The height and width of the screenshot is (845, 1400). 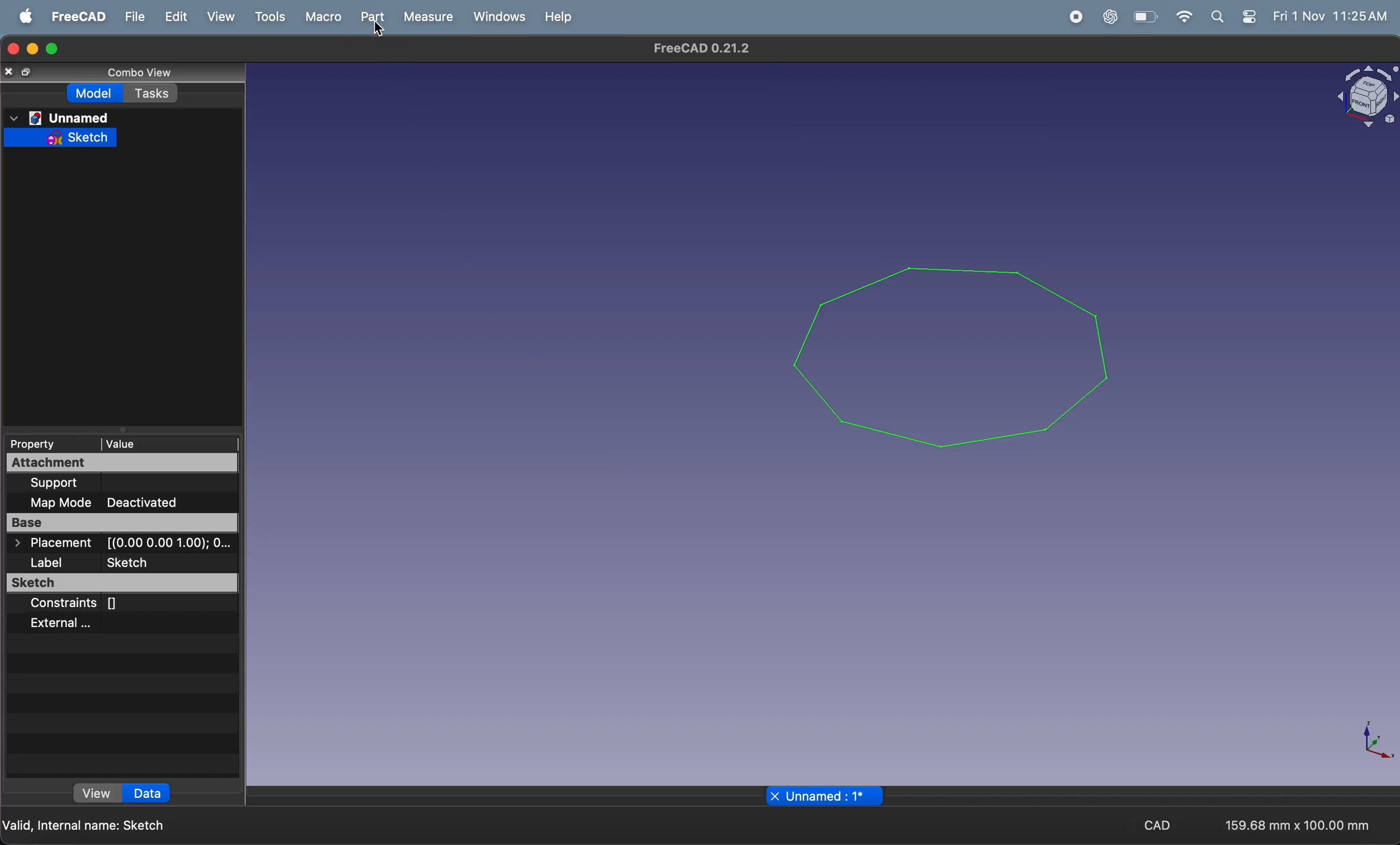 I want to click on polygon, so click(x=953, y=346).